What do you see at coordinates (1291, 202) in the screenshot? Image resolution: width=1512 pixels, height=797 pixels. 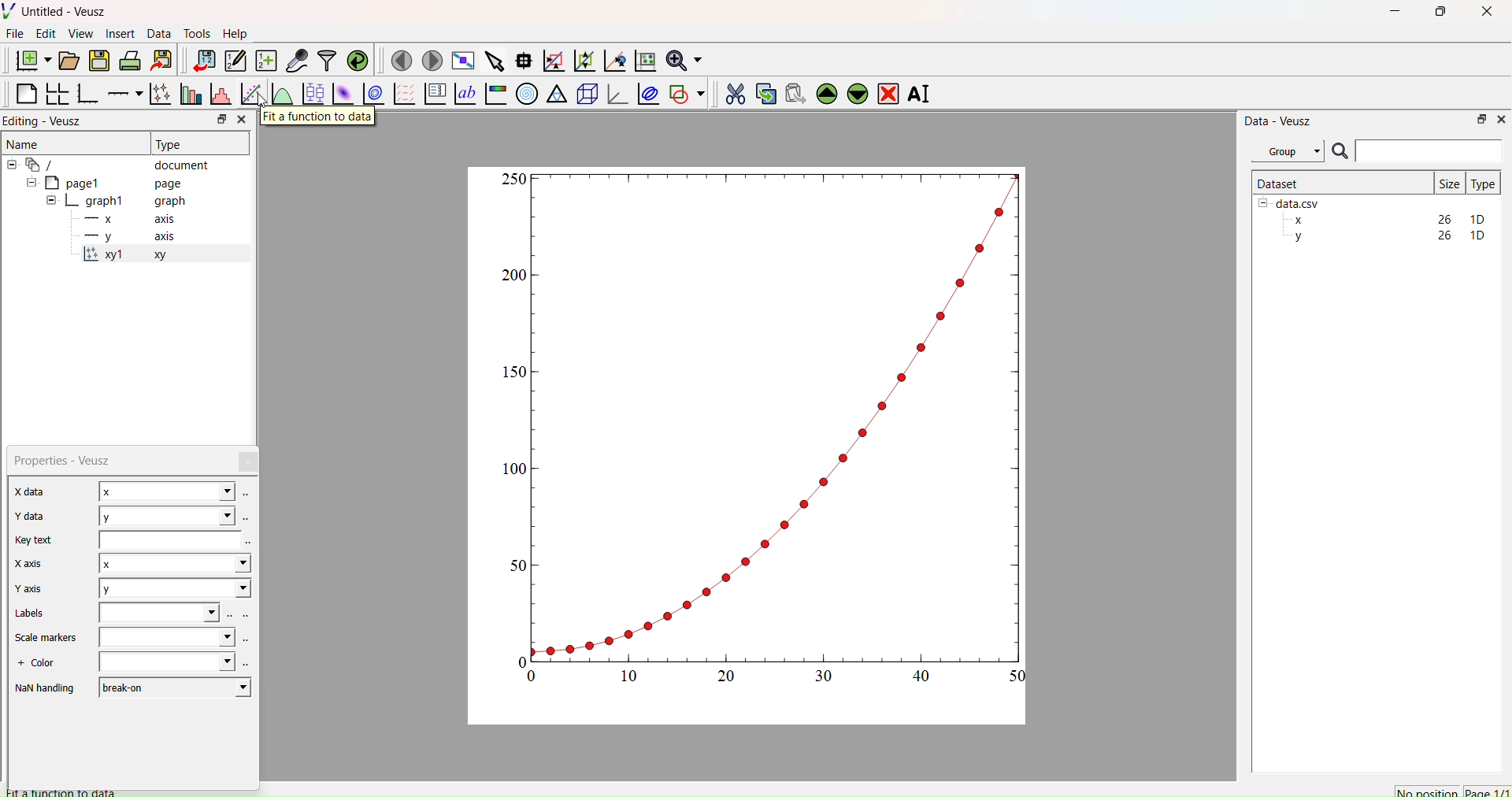 I see `data.csv` at bounding box center [1291, 202].